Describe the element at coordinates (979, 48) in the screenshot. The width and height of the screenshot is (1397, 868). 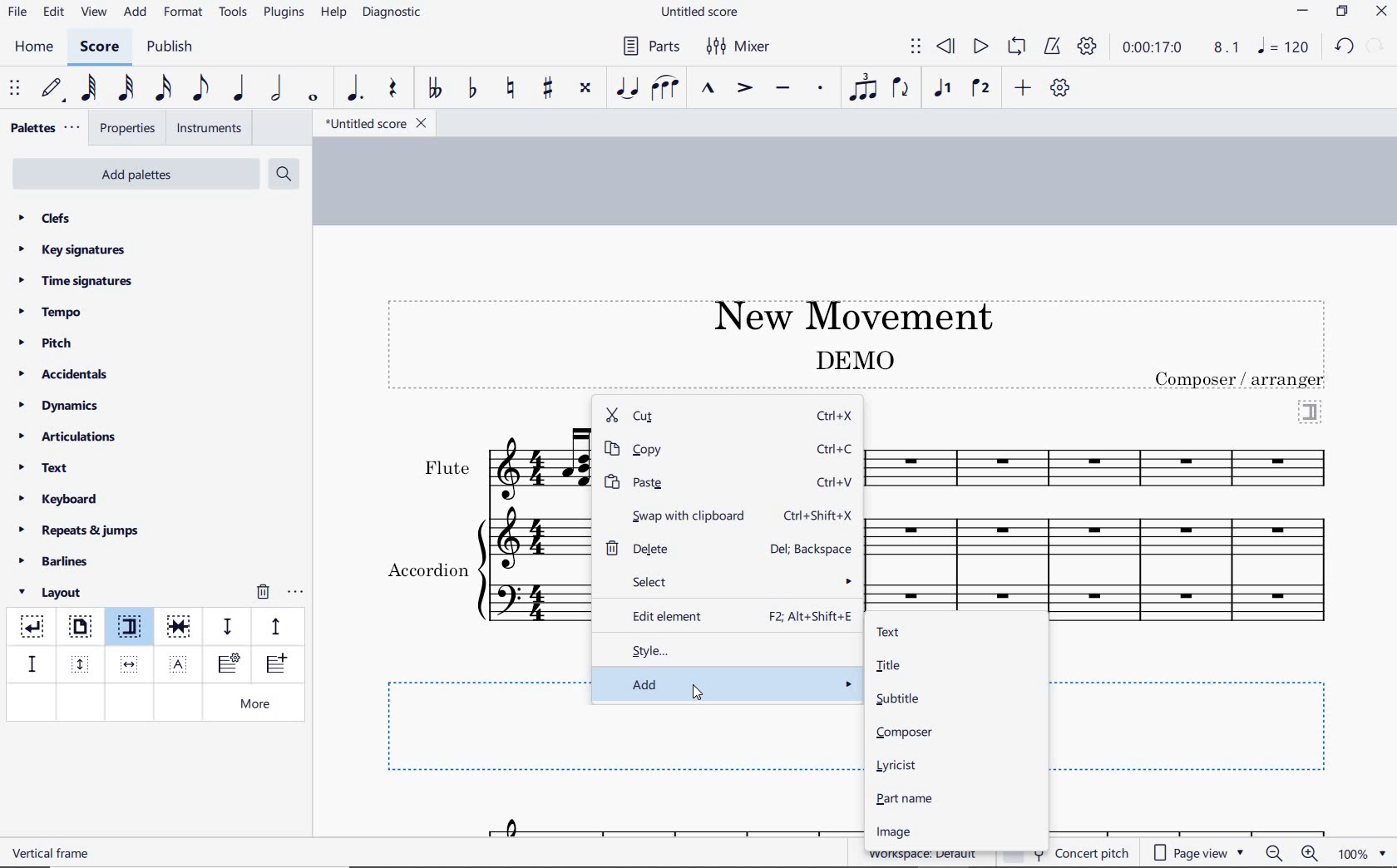
I see `play` at that location.